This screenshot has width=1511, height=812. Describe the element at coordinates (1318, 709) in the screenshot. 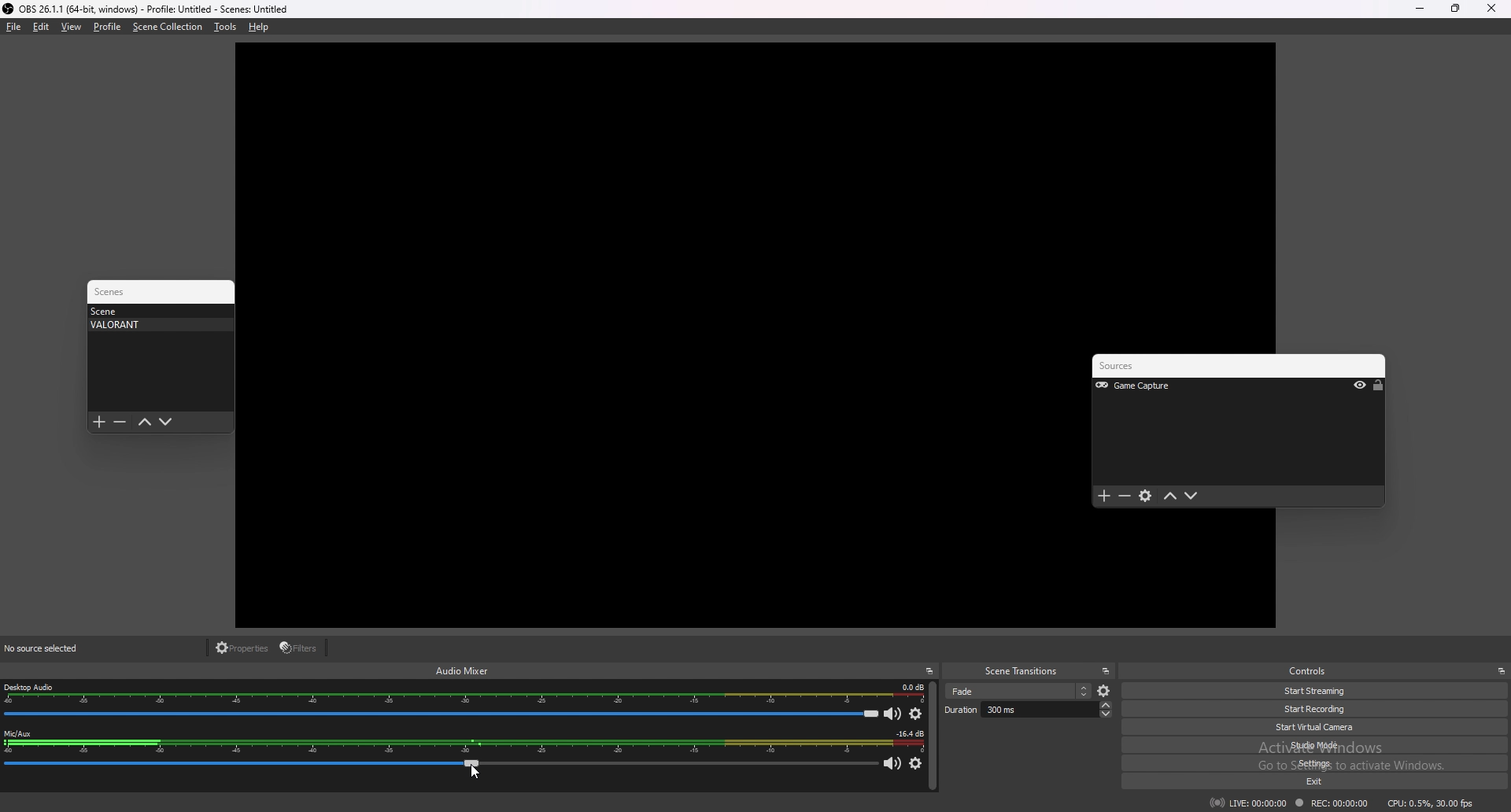

I see `start recording` at that location.